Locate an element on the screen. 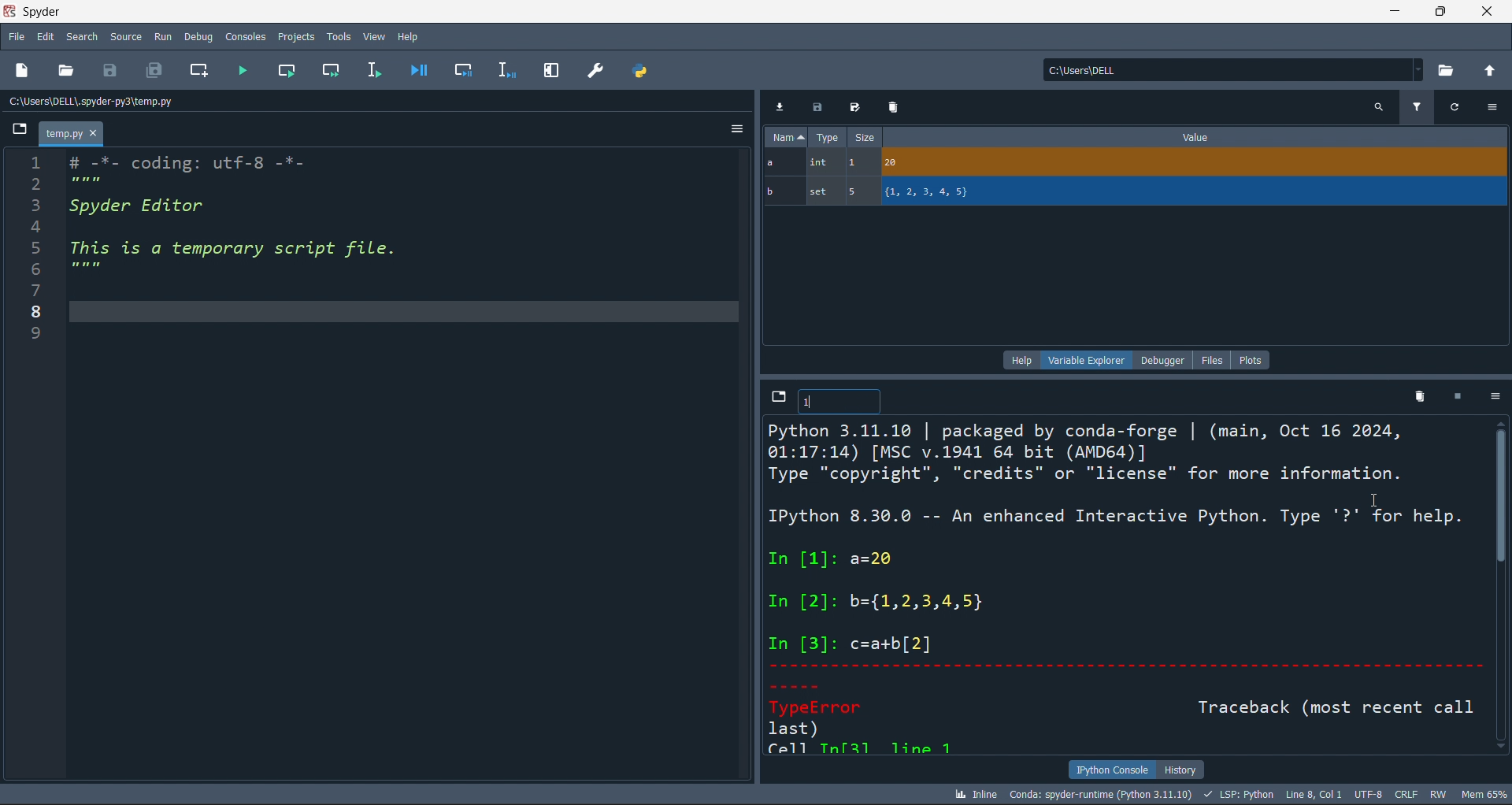 The image size is (1512, 805). run file is located at coordinates (243, 73).